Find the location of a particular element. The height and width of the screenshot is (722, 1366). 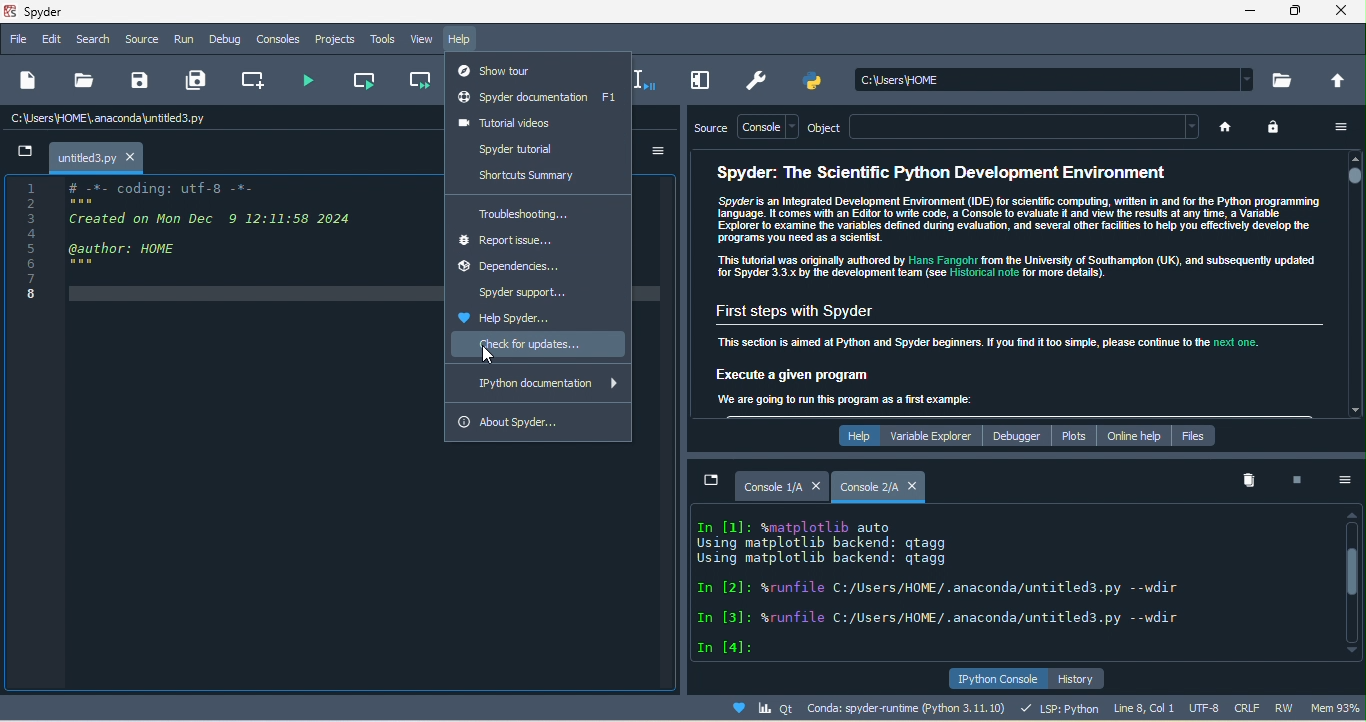

ipython console is located at coordinates (996, 678).